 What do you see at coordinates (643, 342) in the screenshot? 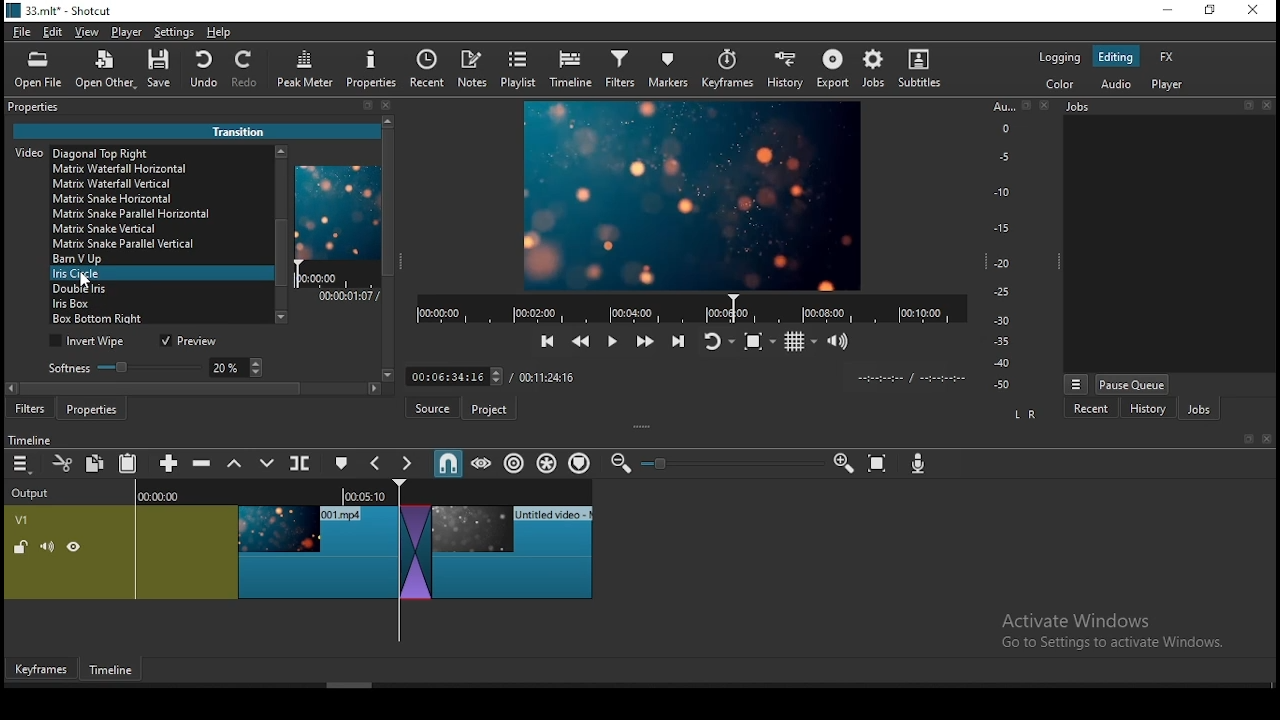
I see `play quickly forward` at bounding box center [643, 342].